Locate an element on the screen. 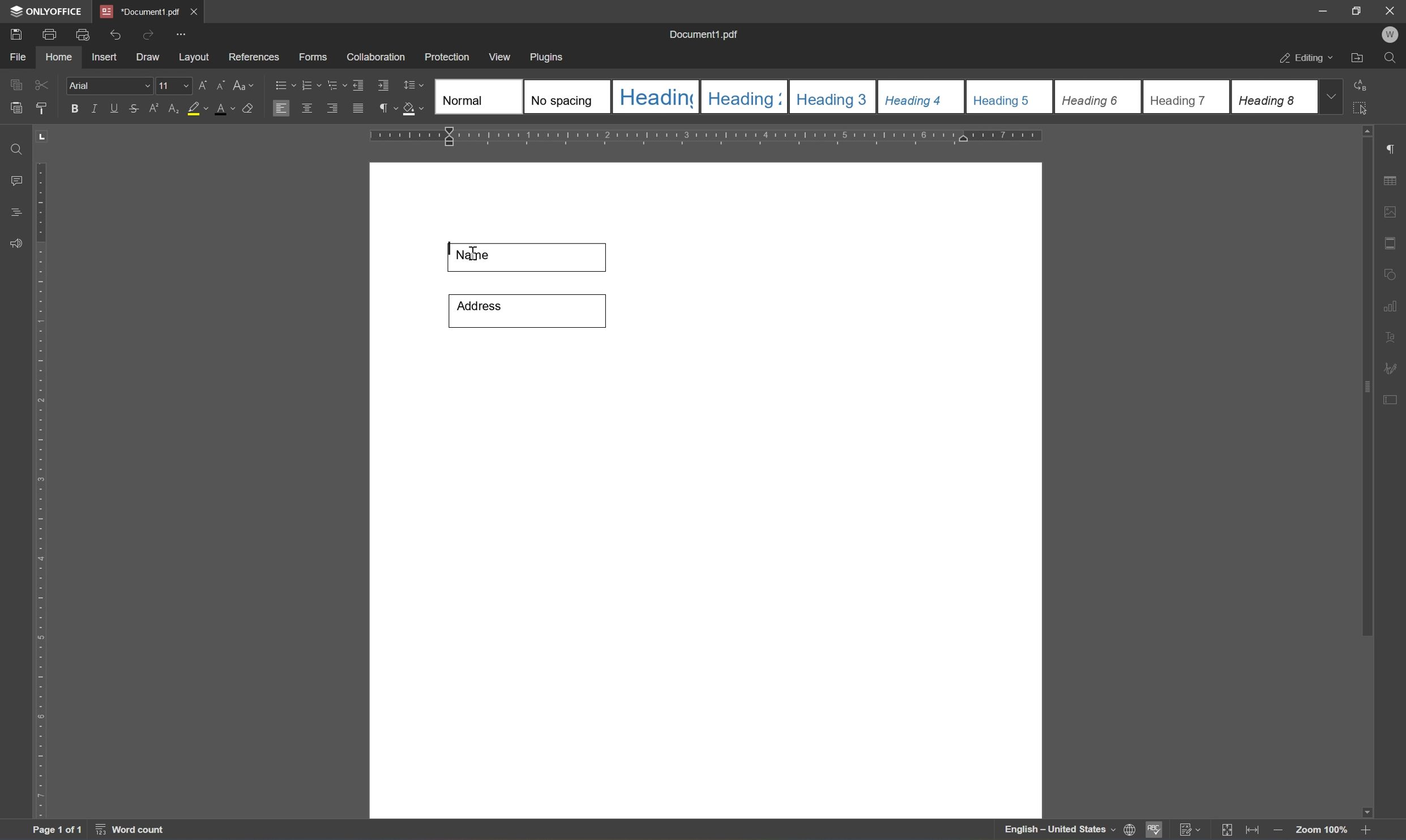 This screenshot has width=1406, height=840. underline is located at coordinates (116, 109).